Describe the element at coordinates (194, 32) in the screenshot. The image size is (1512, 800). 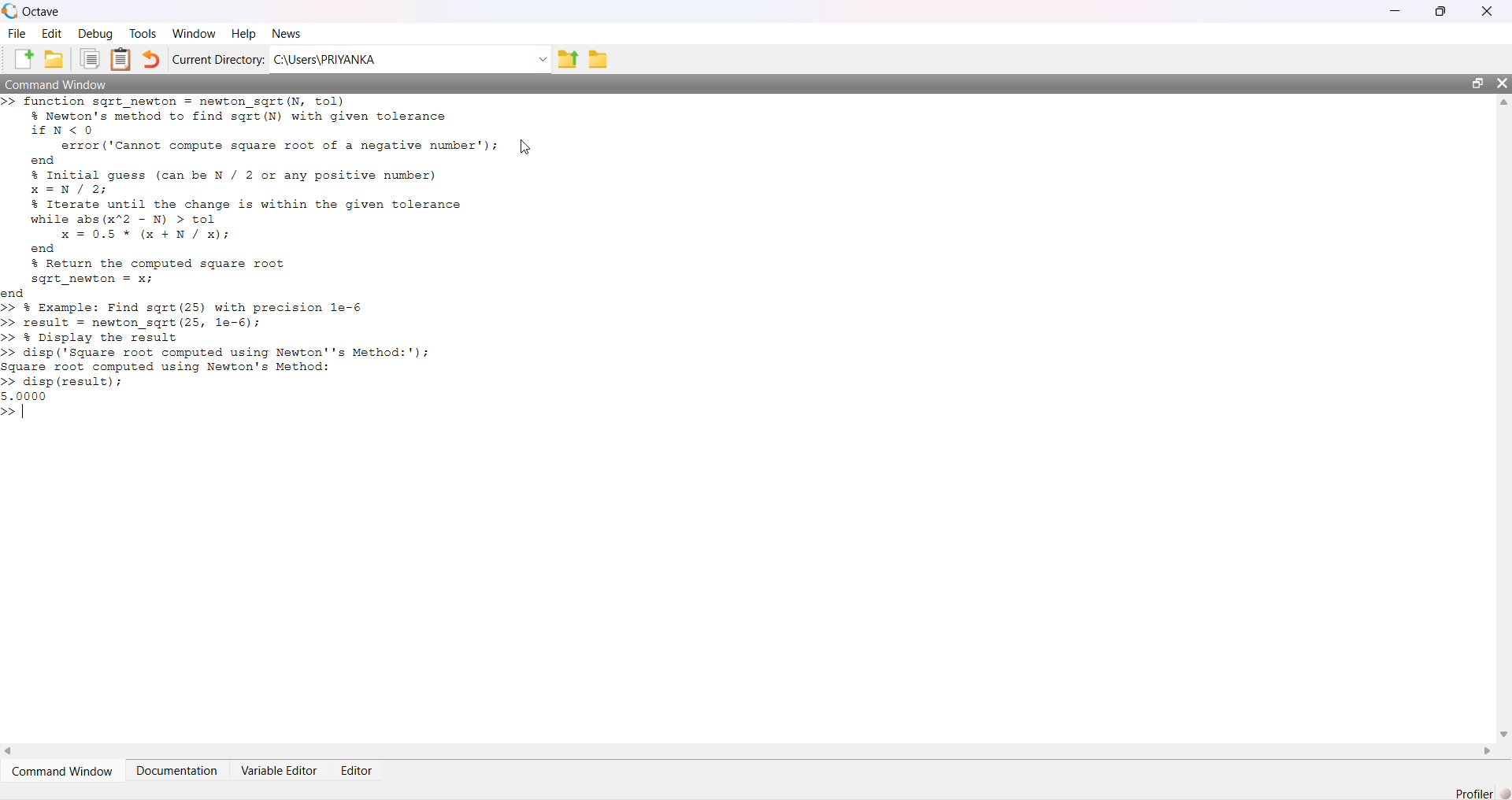
I see `Window` at that location.